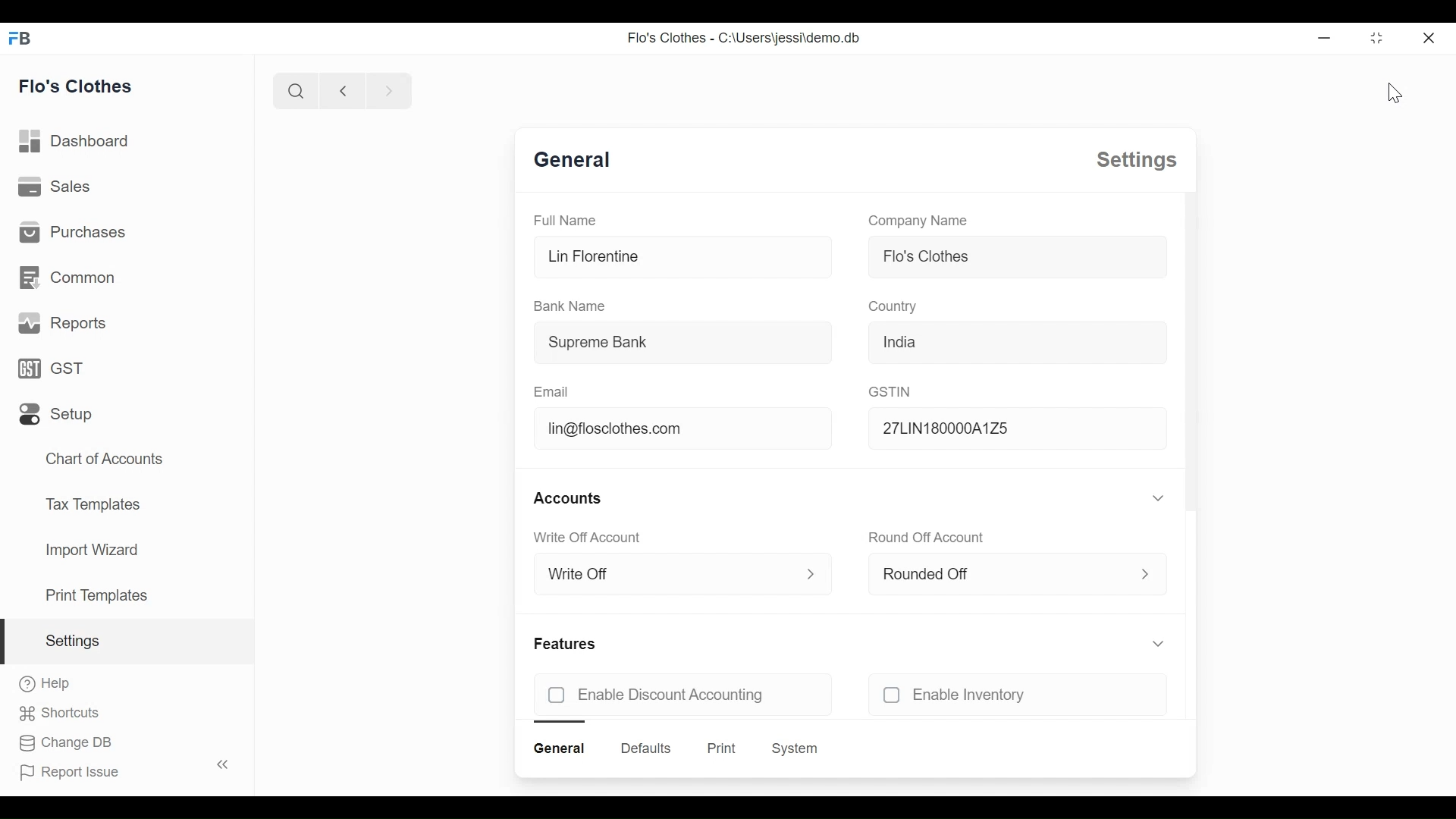 The height and width of the screenshot is (819, 1456). Describe the element at coordinates (71, 641) in the screenshot. I see `settings` at that location.